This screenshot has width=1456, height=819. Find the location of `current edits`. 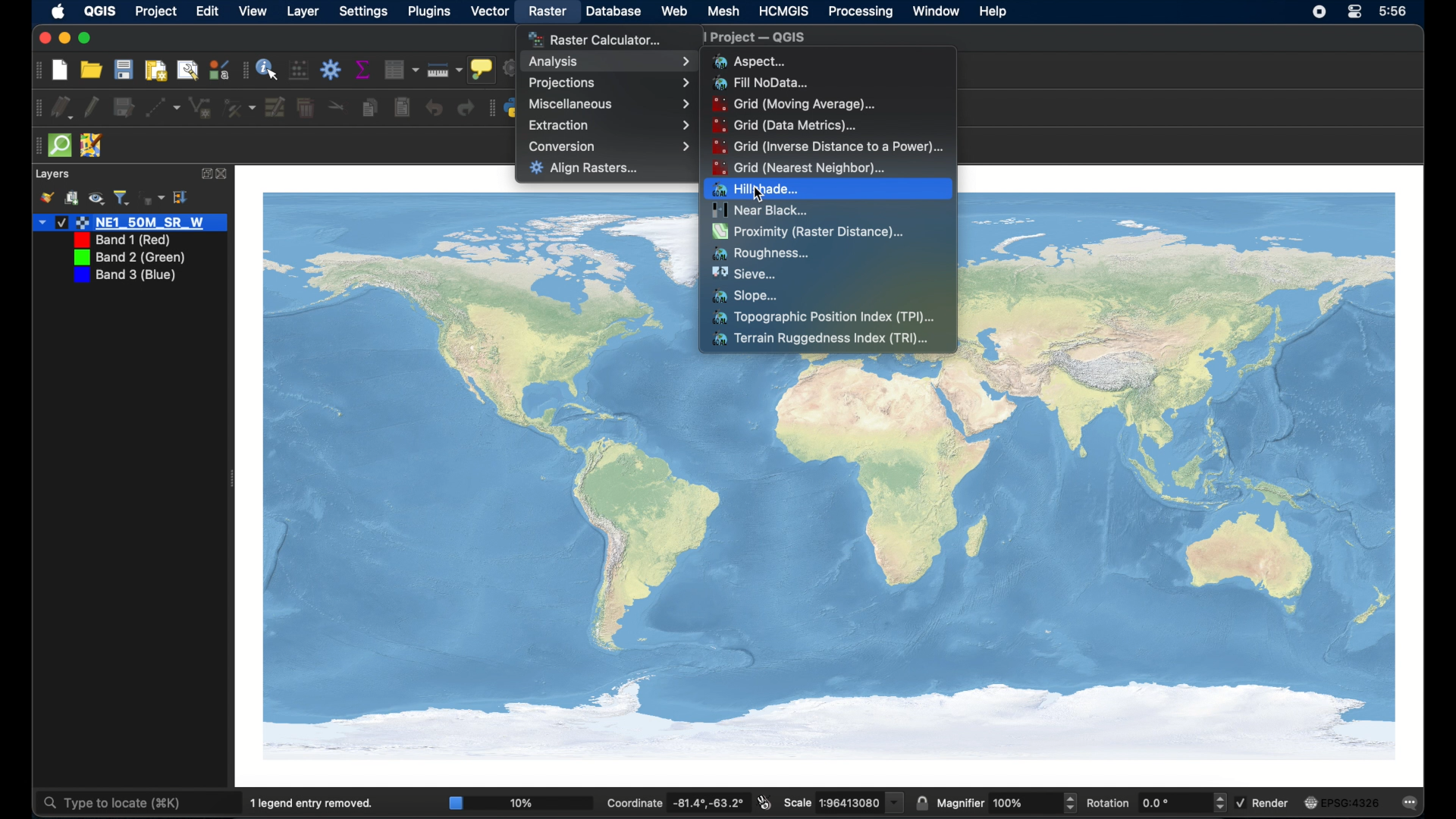

current edits is located at coordinates (63, 107).